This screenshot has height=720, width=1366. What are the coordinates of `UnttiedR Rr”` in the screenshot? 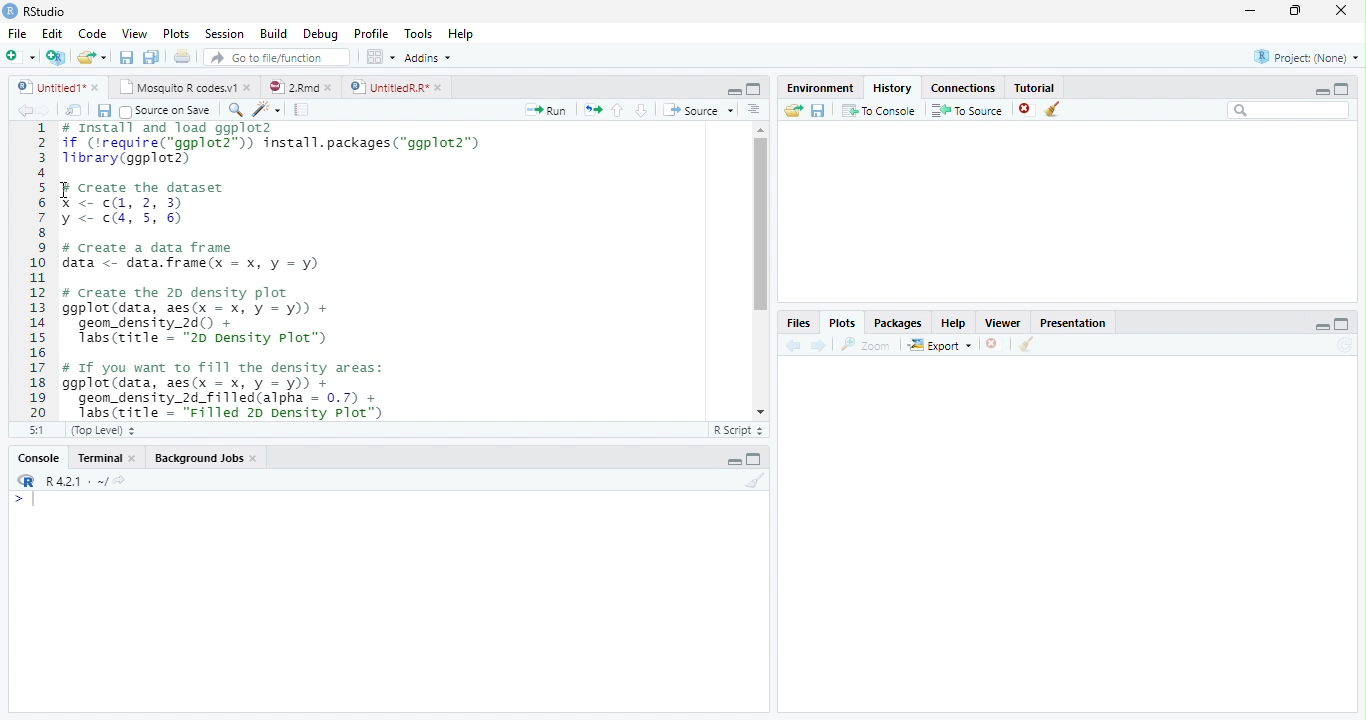 It's located at (387, 86).